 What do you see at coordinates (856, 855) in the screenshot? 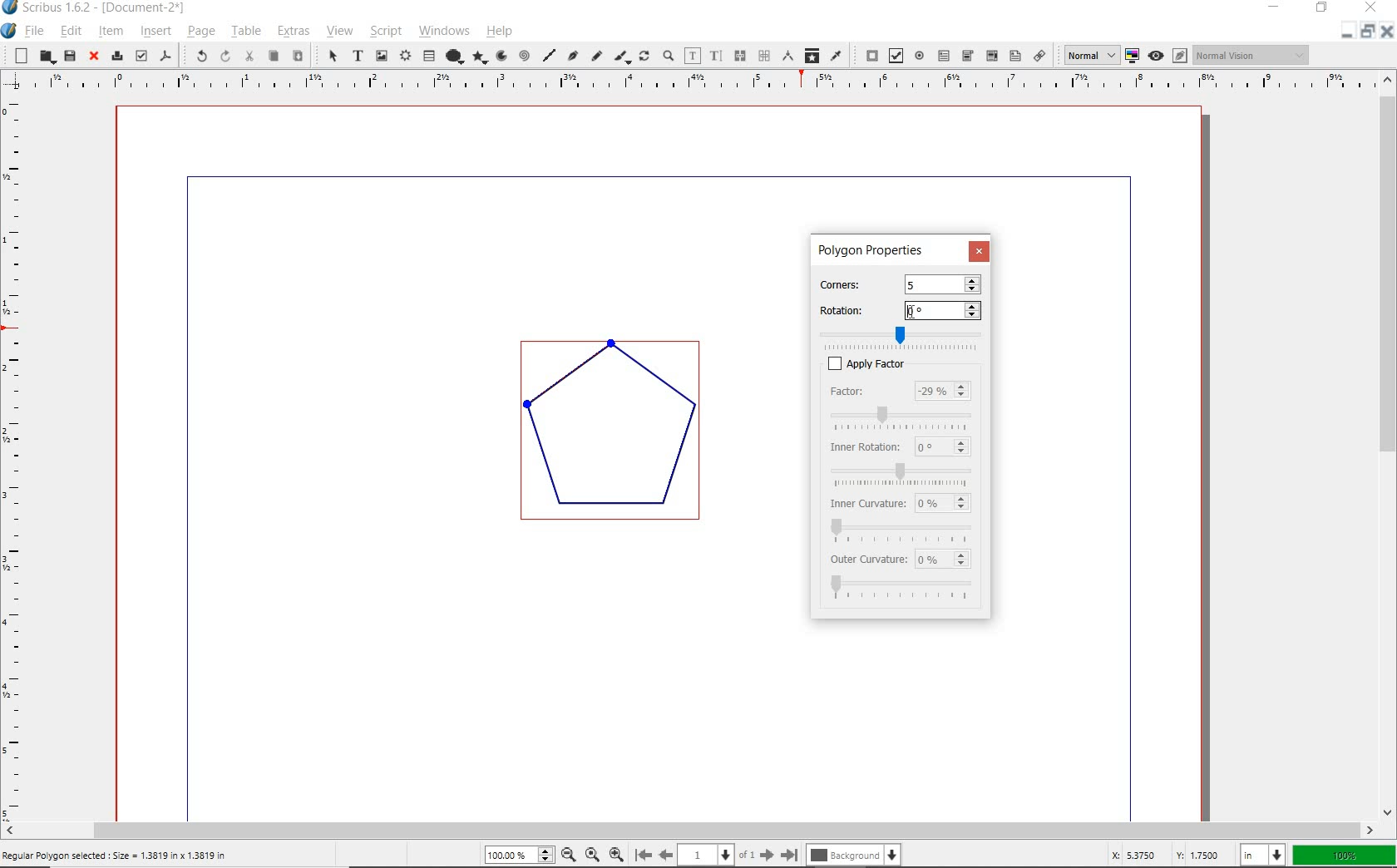
I see `Background` at bounding box center [856, 855].